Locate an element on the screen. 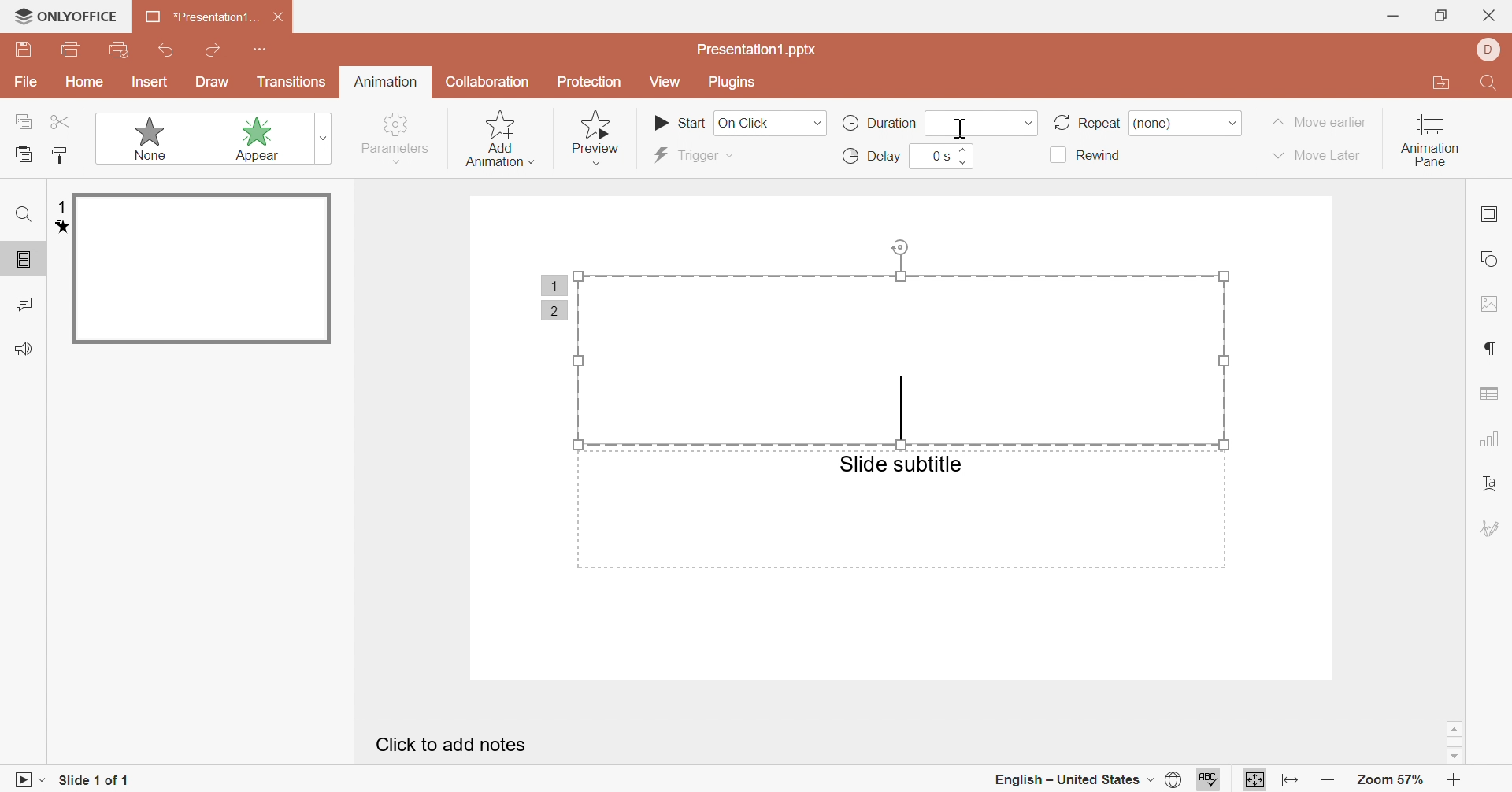 The image size is (1512, 792). copy style is located at coordinates (61, 154).